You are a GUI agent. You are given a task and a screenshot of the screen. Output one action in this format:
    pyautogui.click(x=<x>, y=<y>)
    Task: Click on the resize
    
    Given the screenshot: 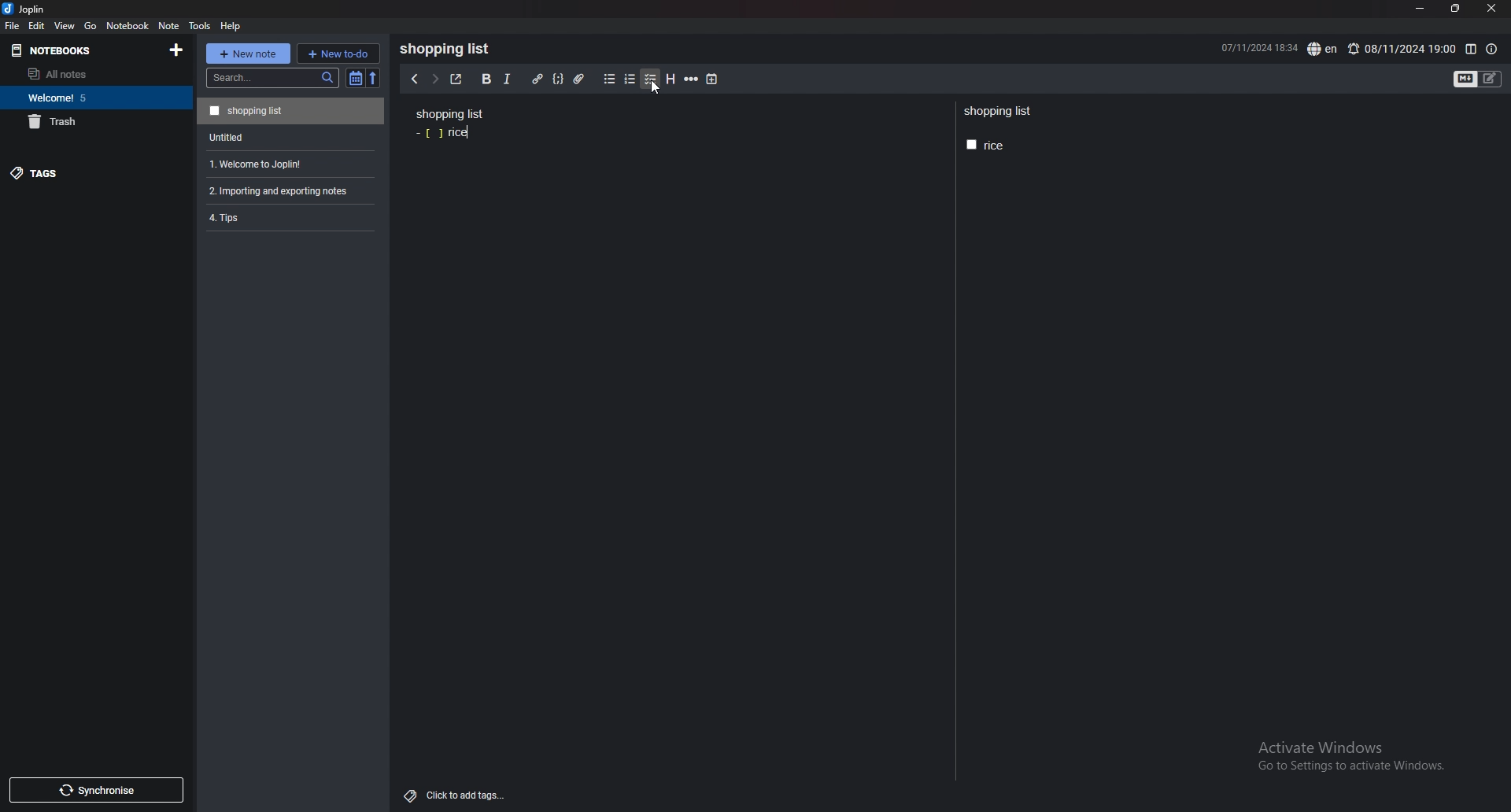 What is the action you would take?
    pyautogui.click(x=1454, y=9)
    